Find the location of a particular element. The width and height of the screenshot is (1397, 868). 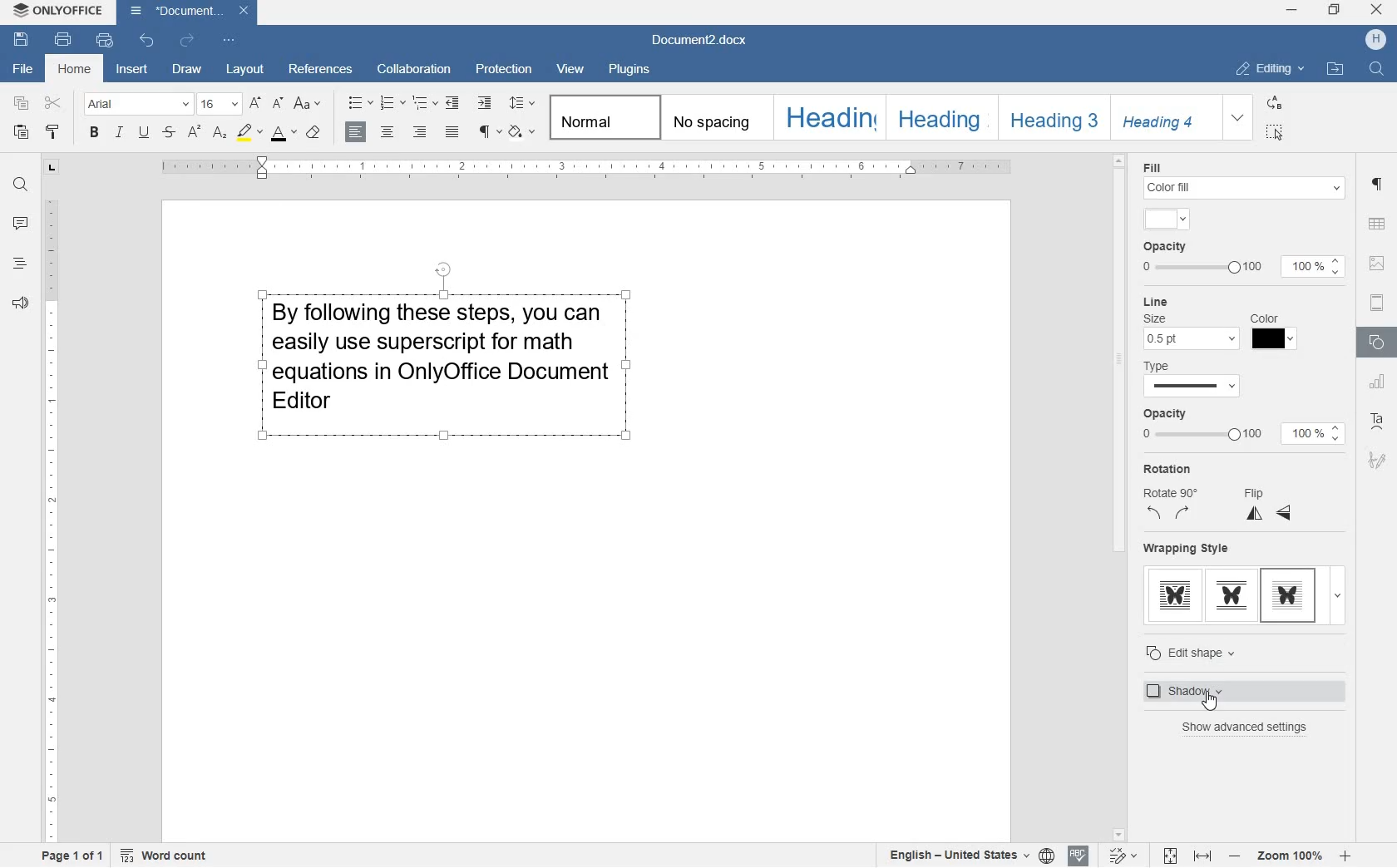

ruler is located at coordinates (50, 520).